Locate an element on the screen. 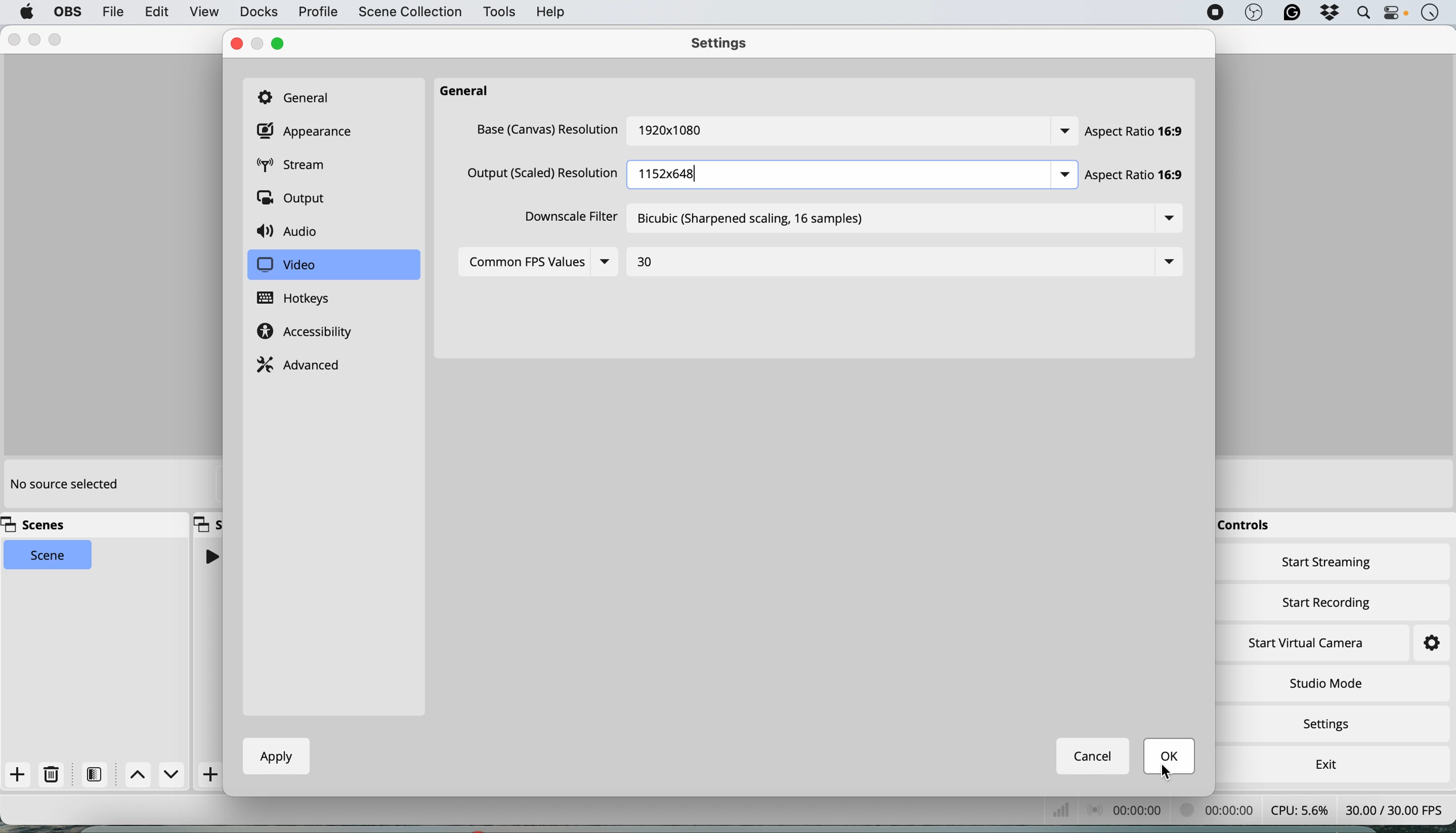 The width and height of the screenshot is (1456, 833). output is located at coordinates (295, 200).